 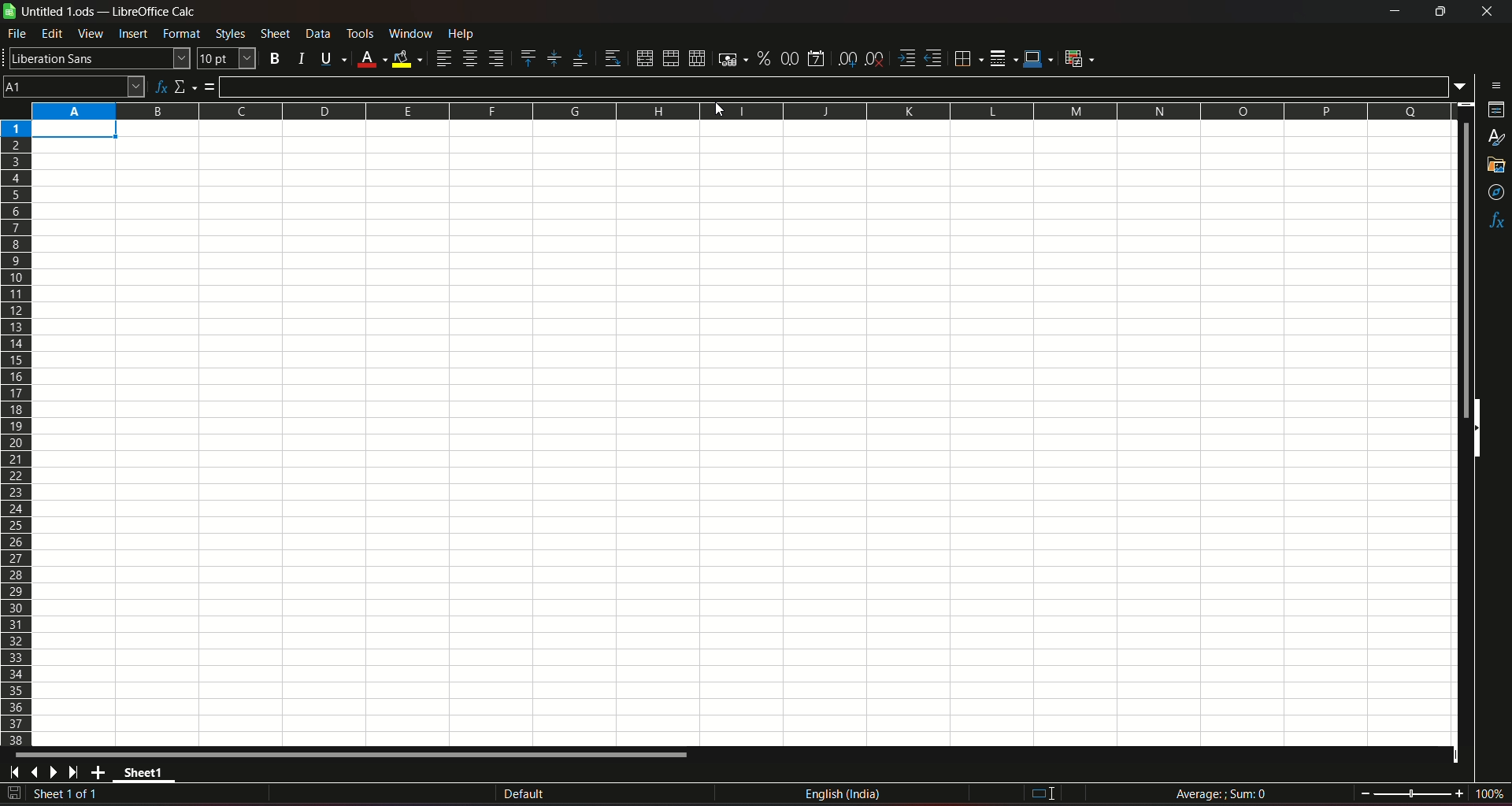 I want to click on merge cells, so click(x=671, y=57).